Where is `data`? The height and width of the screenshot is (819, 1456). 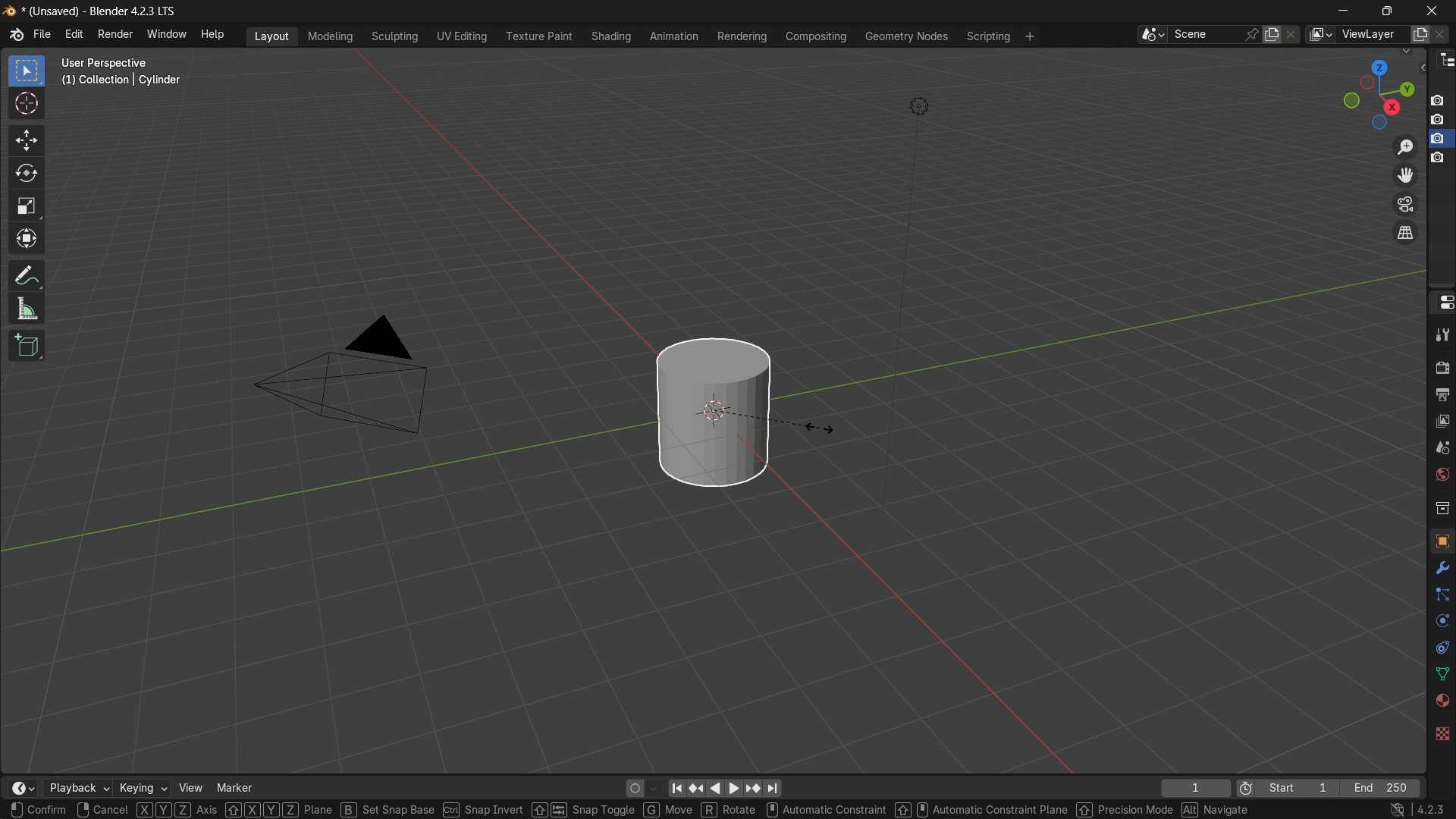
data is located at coordinates (1441, 676).